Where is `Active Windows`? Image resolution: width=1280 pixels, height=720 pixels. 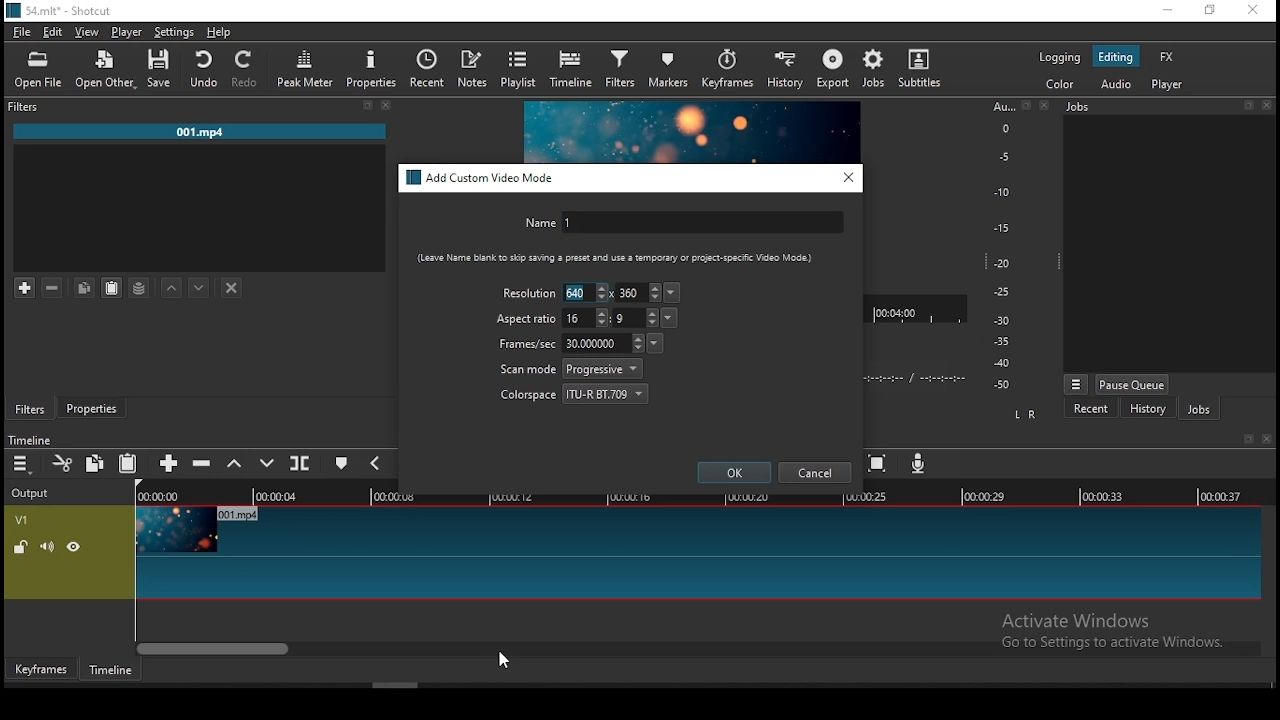 Active Windows is located at coordinates (1084, 620).